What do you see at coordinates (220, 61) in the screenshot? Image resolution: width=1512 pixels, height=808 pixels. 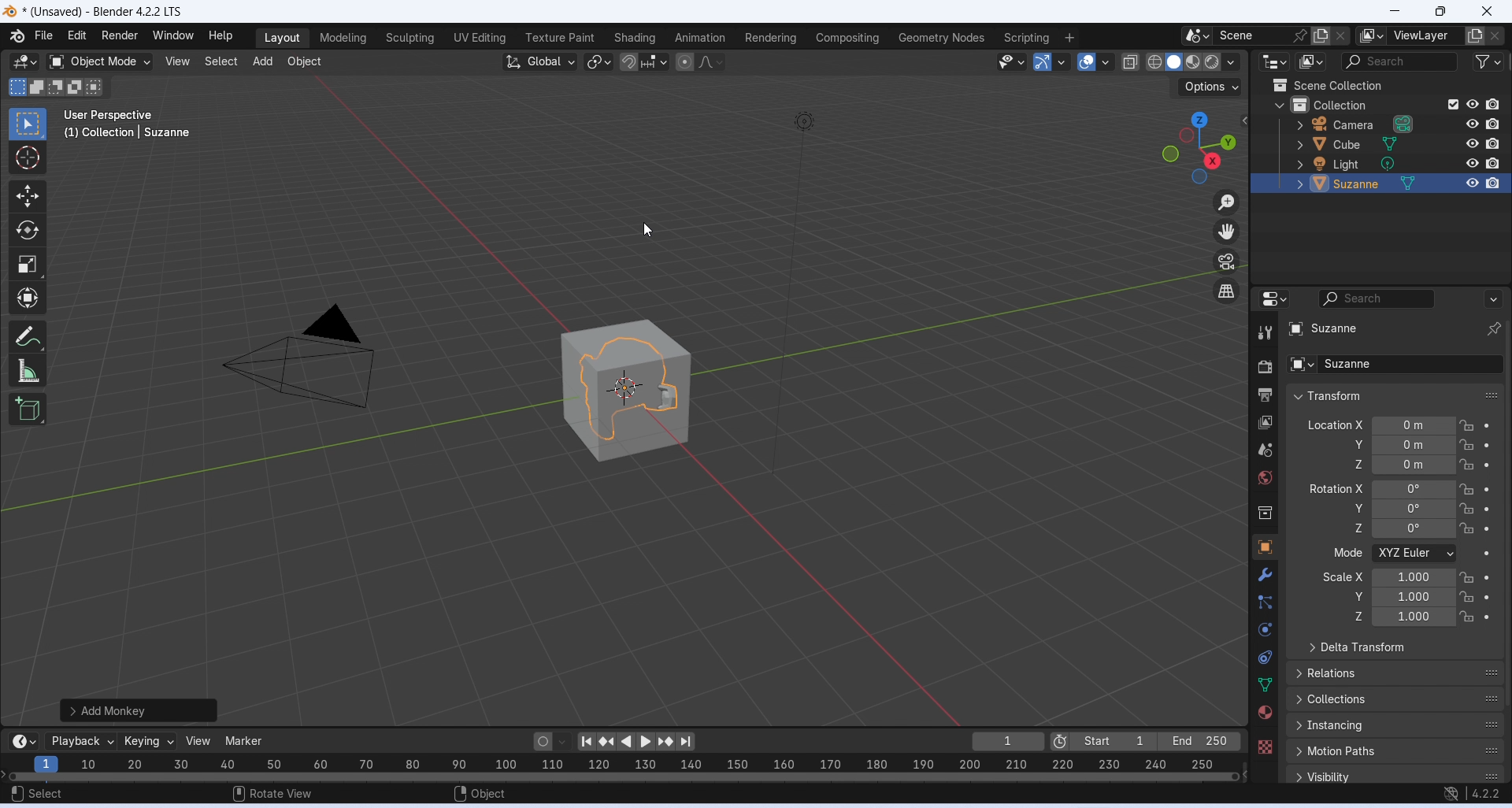 I see `select` at bounding box center [220, 61].